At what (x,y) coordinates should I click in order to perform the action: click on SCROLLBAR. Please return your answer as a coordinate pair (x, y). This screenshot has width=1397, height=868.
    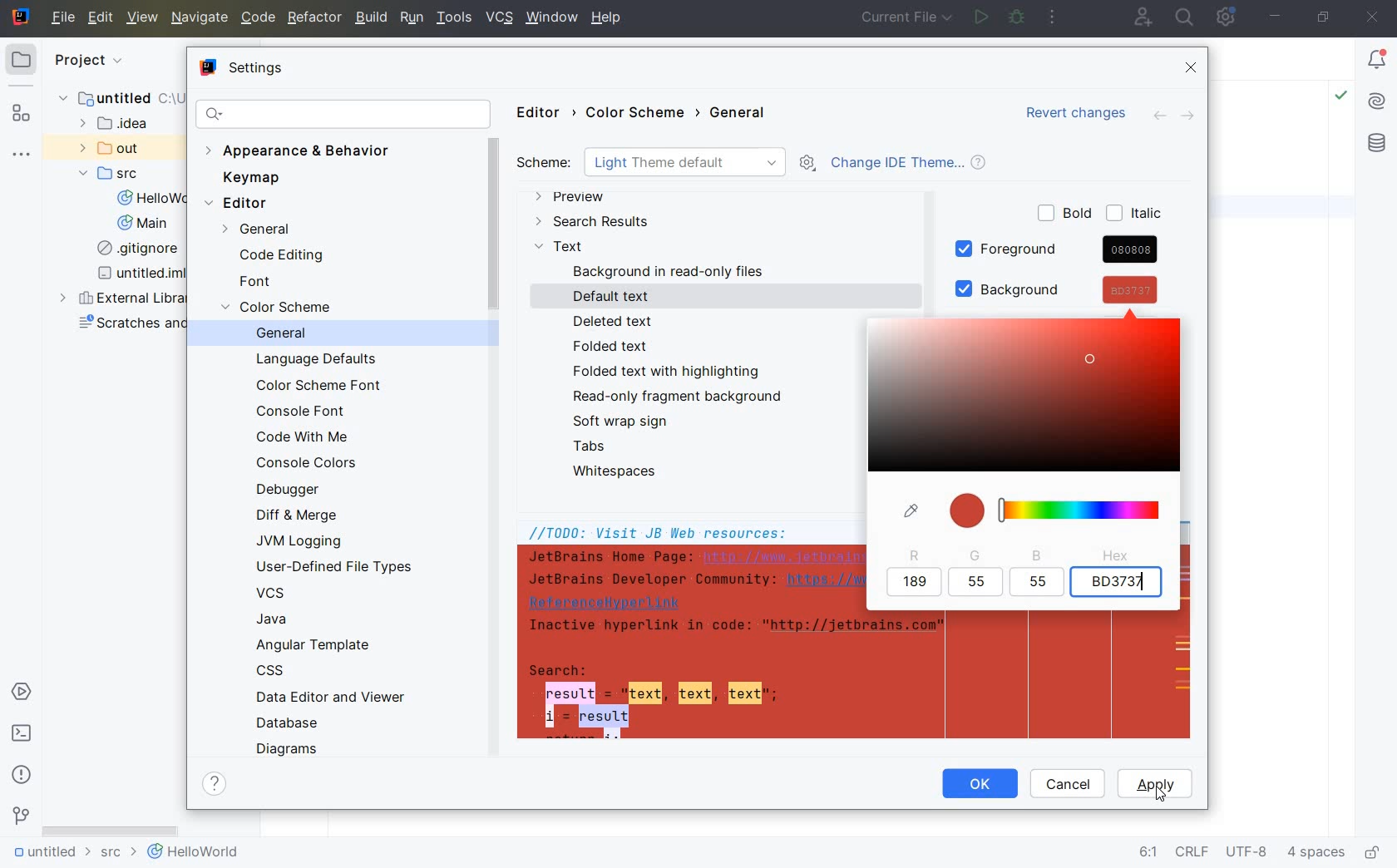
    Looking at the image, I should click on (1183, 553).